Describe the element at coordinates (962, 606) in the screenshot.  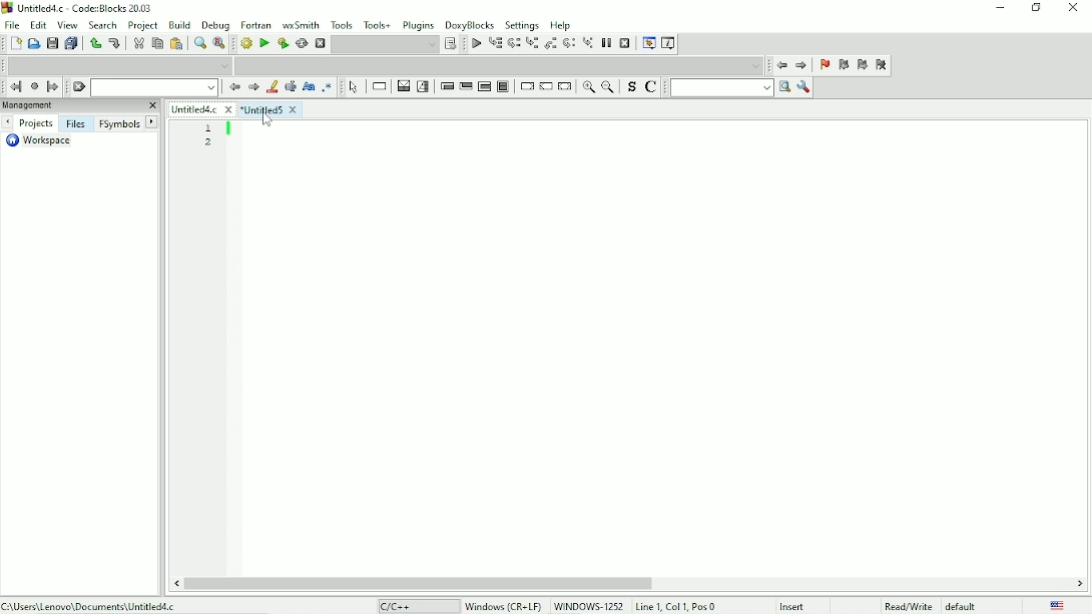
I see `defualt` at that location.